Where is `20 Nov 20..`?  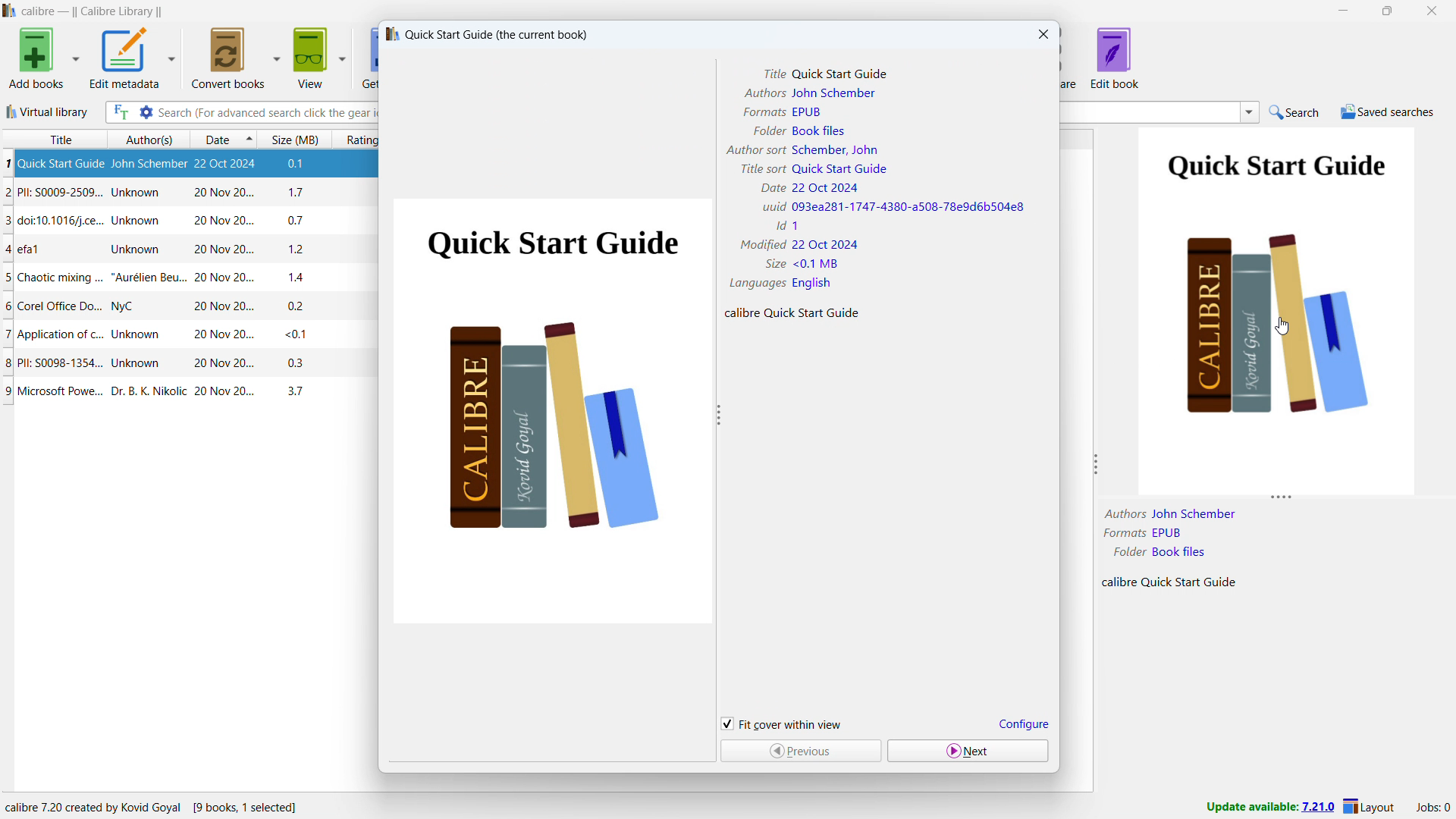
20 Nov 20.. is located at coordinates (218, 250).